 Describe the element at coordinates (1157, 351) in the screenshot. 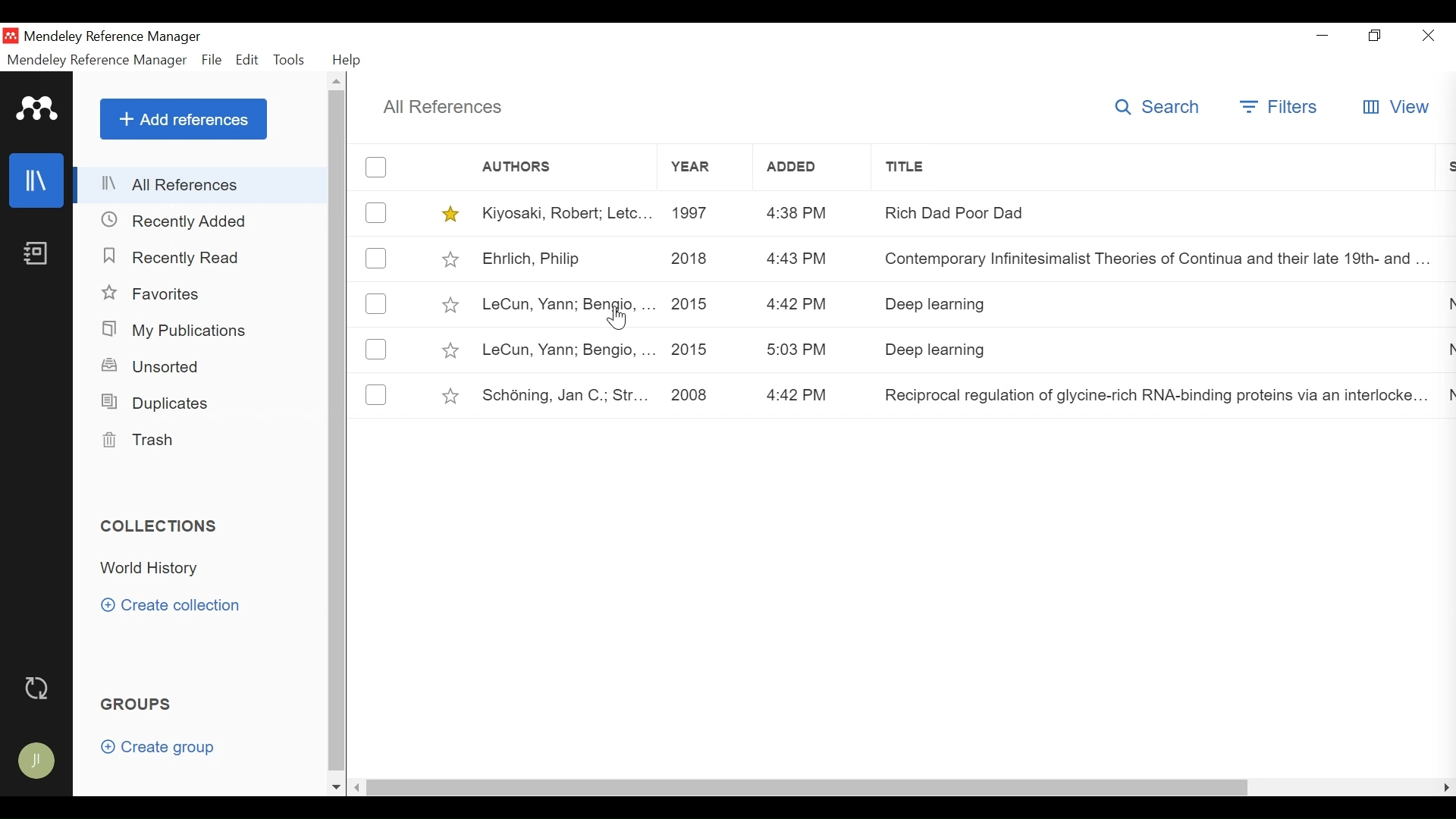

I see `Deep learning` at that location.